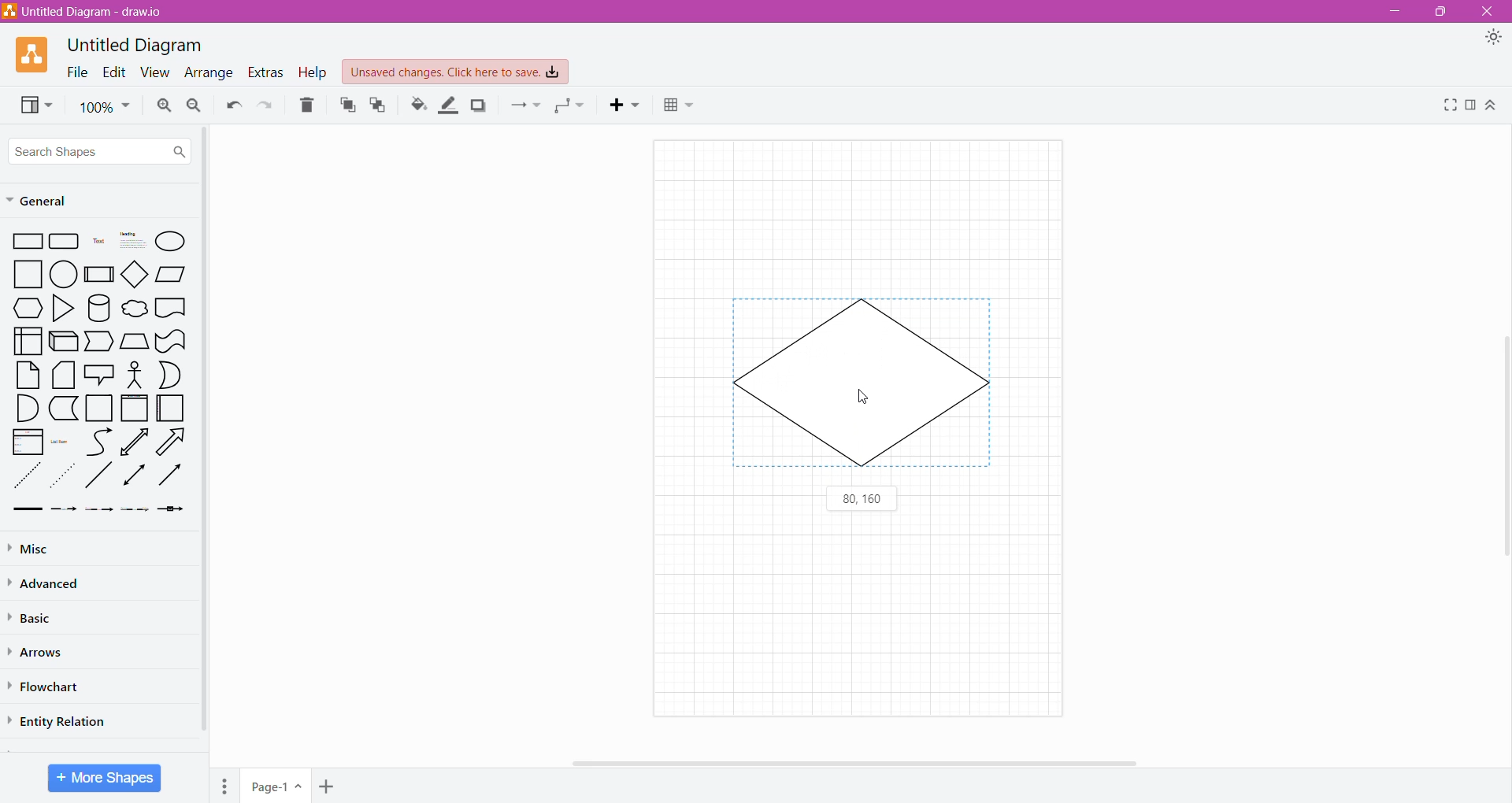 This screenshot has height=803, width=1512. Describe the element at coordinates (134, 409) in the screenshot. I see `Vertical Container` at that location.